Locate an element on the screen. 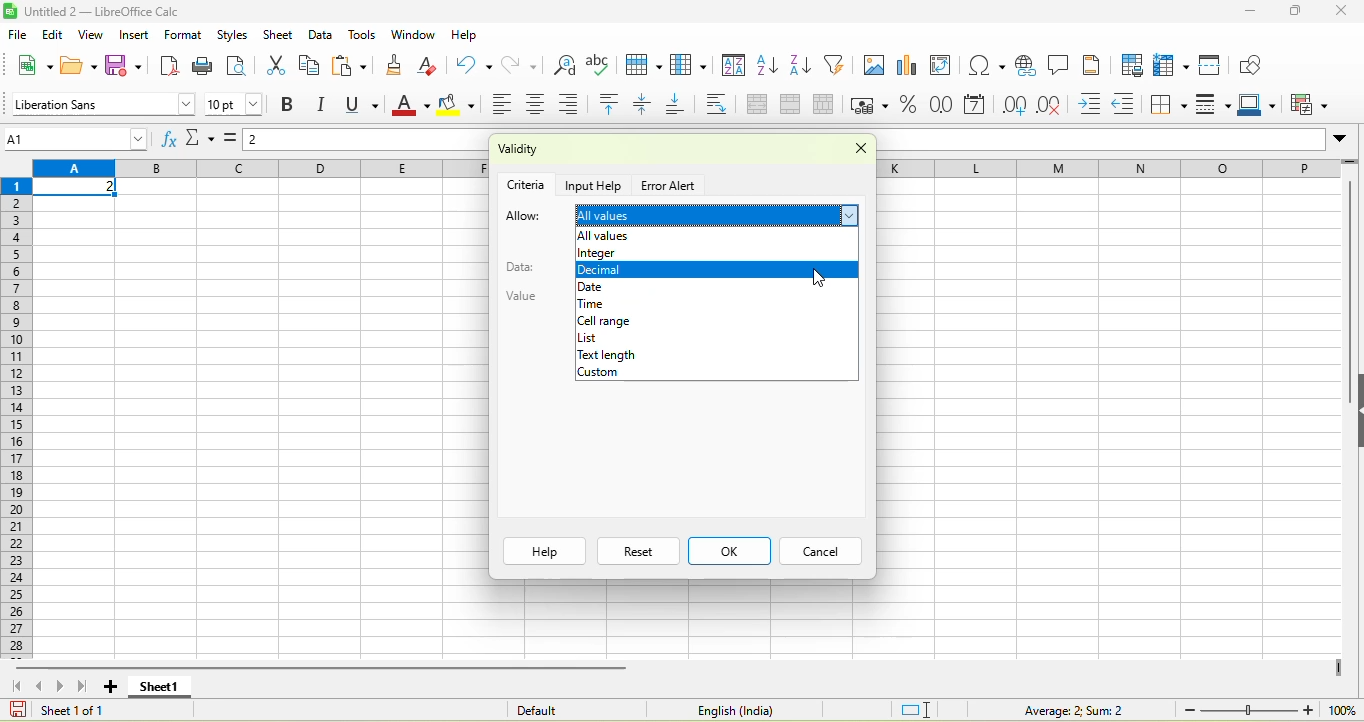 Image resolution: width=1364 pixels, height=722 pixels. tools is located at coordinates (362, 36).